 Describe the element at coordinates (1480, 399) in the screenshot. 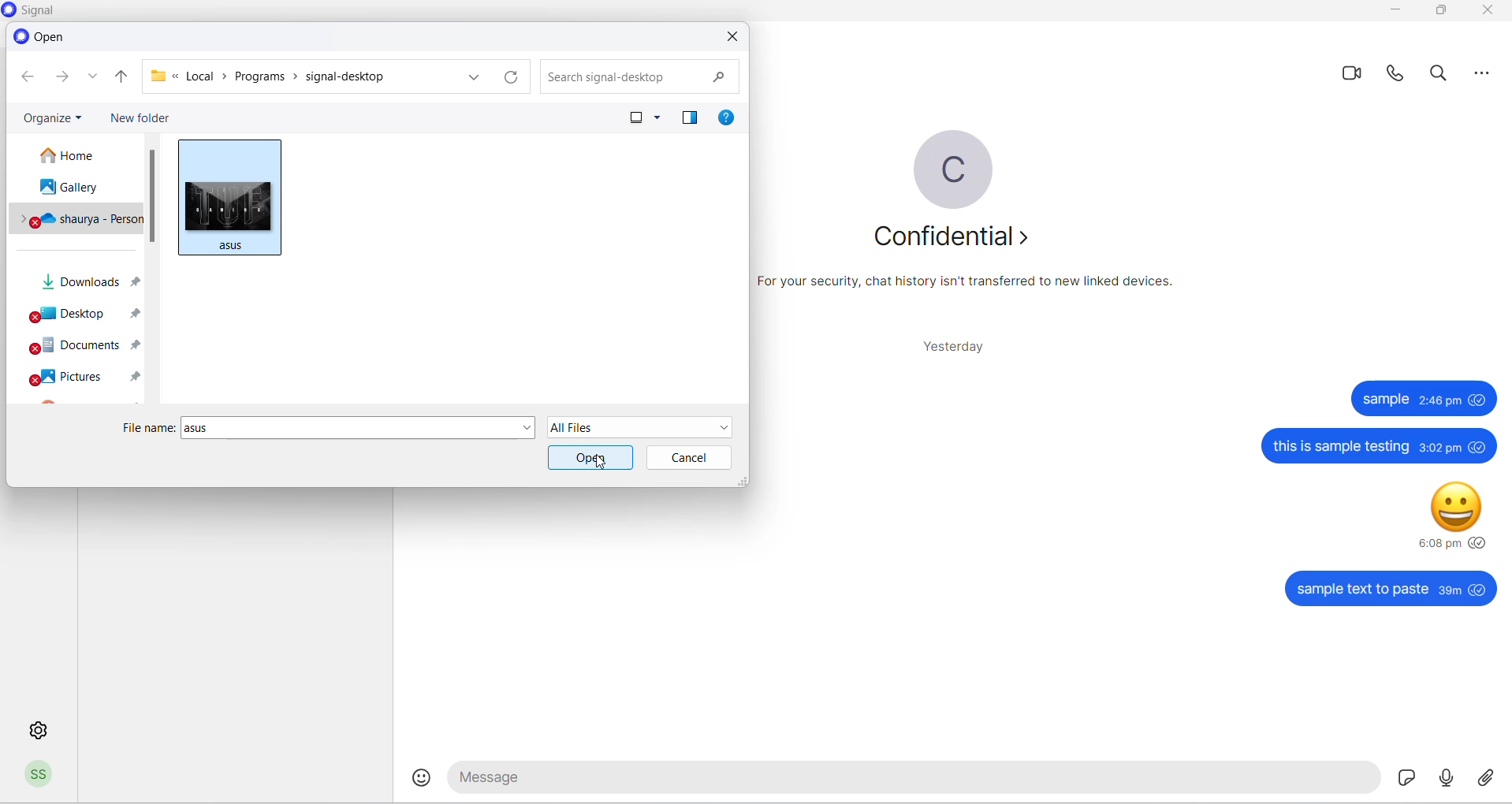

I see `seen` at that location.